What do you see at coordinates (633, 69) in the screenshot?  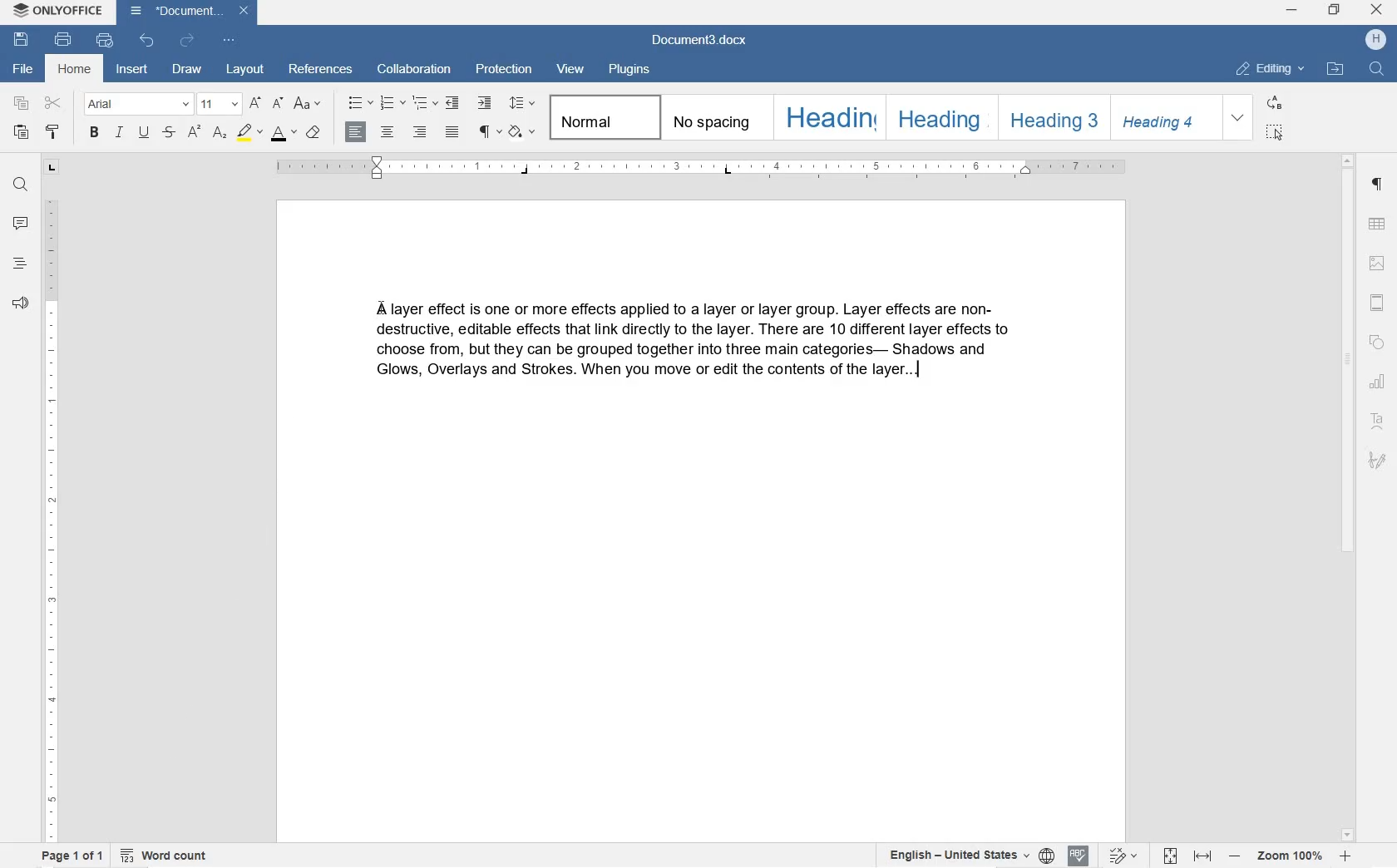 I see `PLUGINS` at bounding box center [633, 69].